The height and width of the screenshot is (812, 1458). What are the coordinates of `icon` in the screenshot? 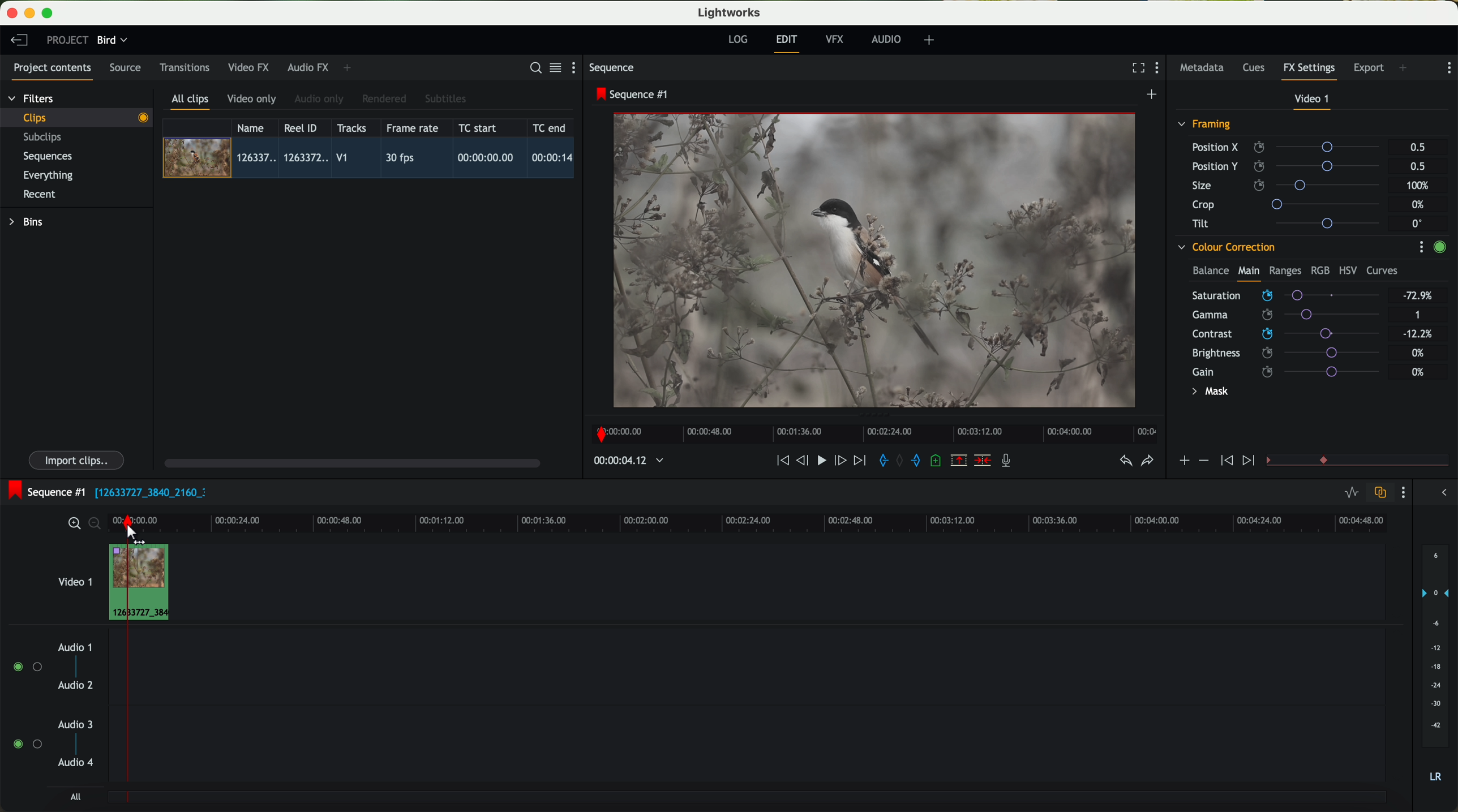 It's located at (1183, 462).